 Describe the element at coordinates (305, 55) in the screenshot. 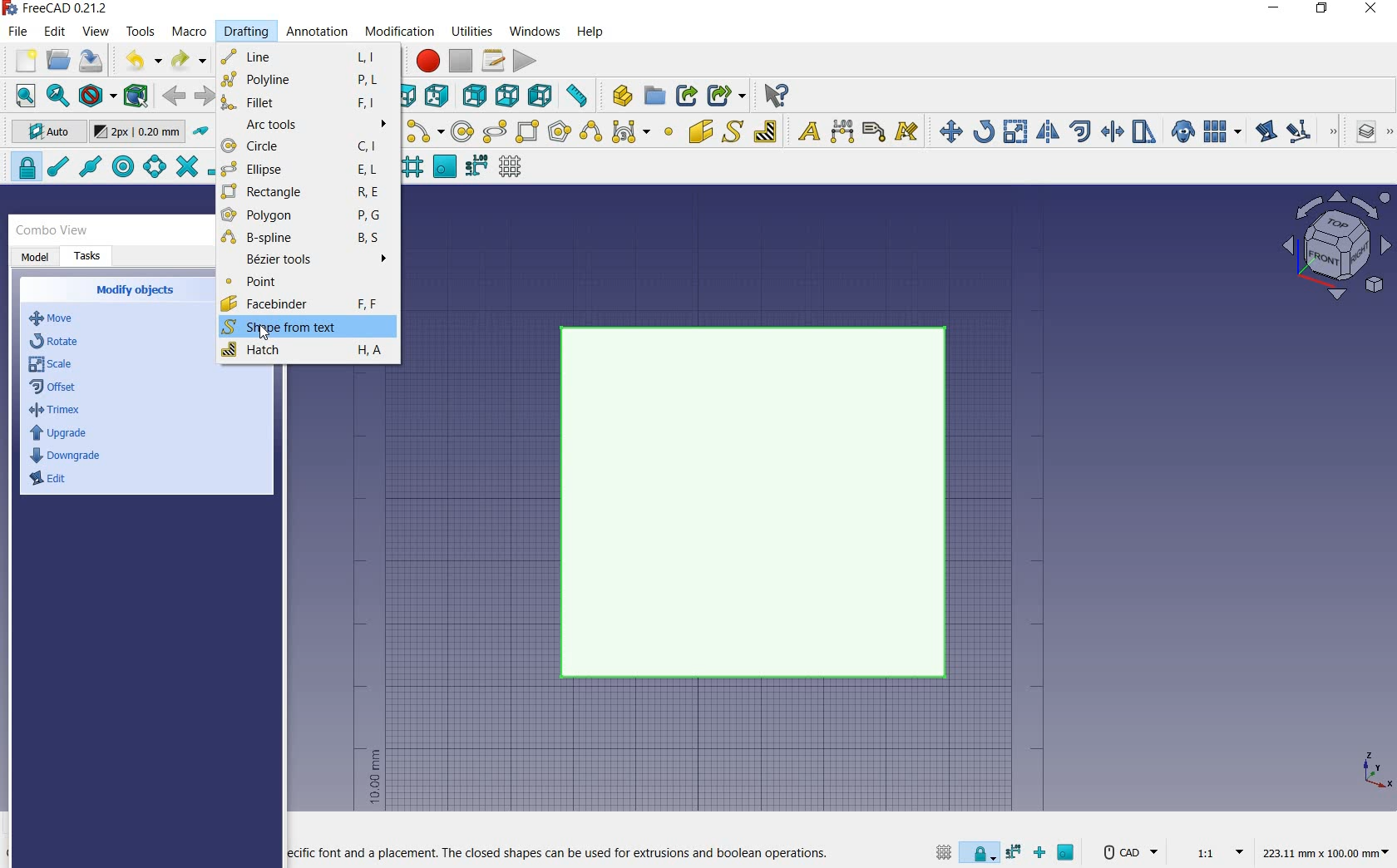

I see `line` at that location.